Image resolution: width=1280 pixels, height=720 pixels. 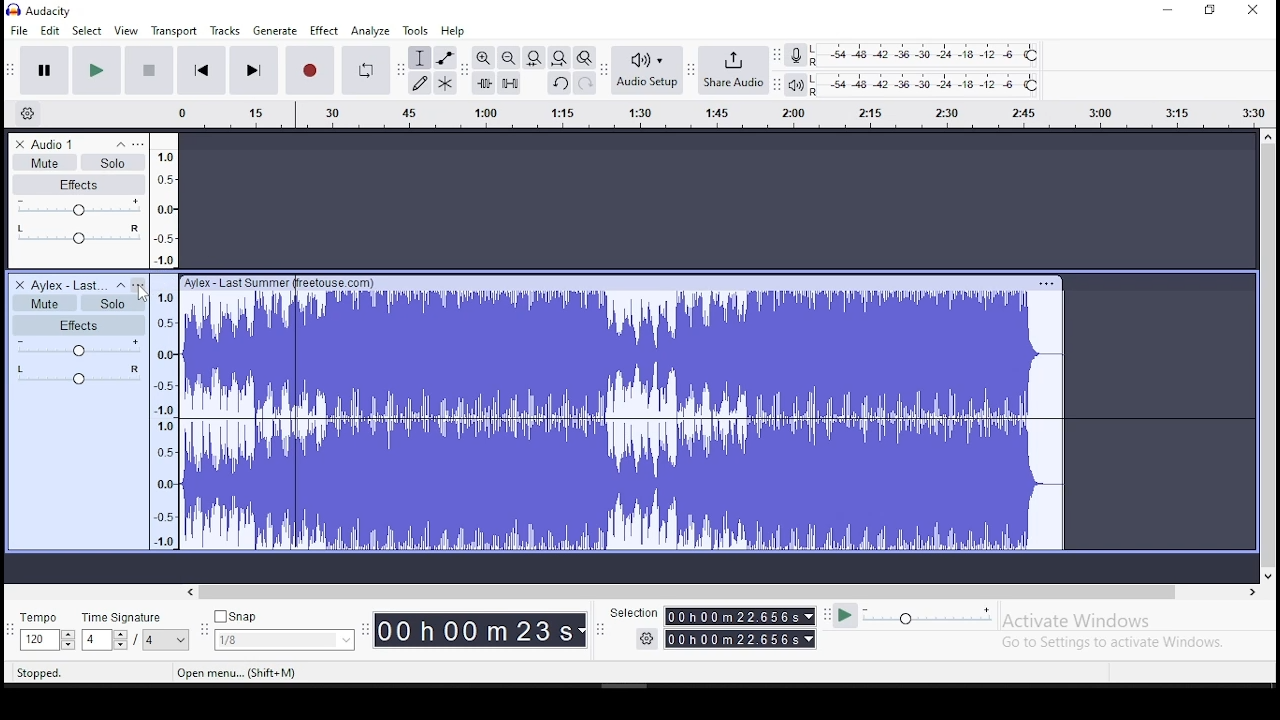 I want to click on tools, so click(x=415, y=31).